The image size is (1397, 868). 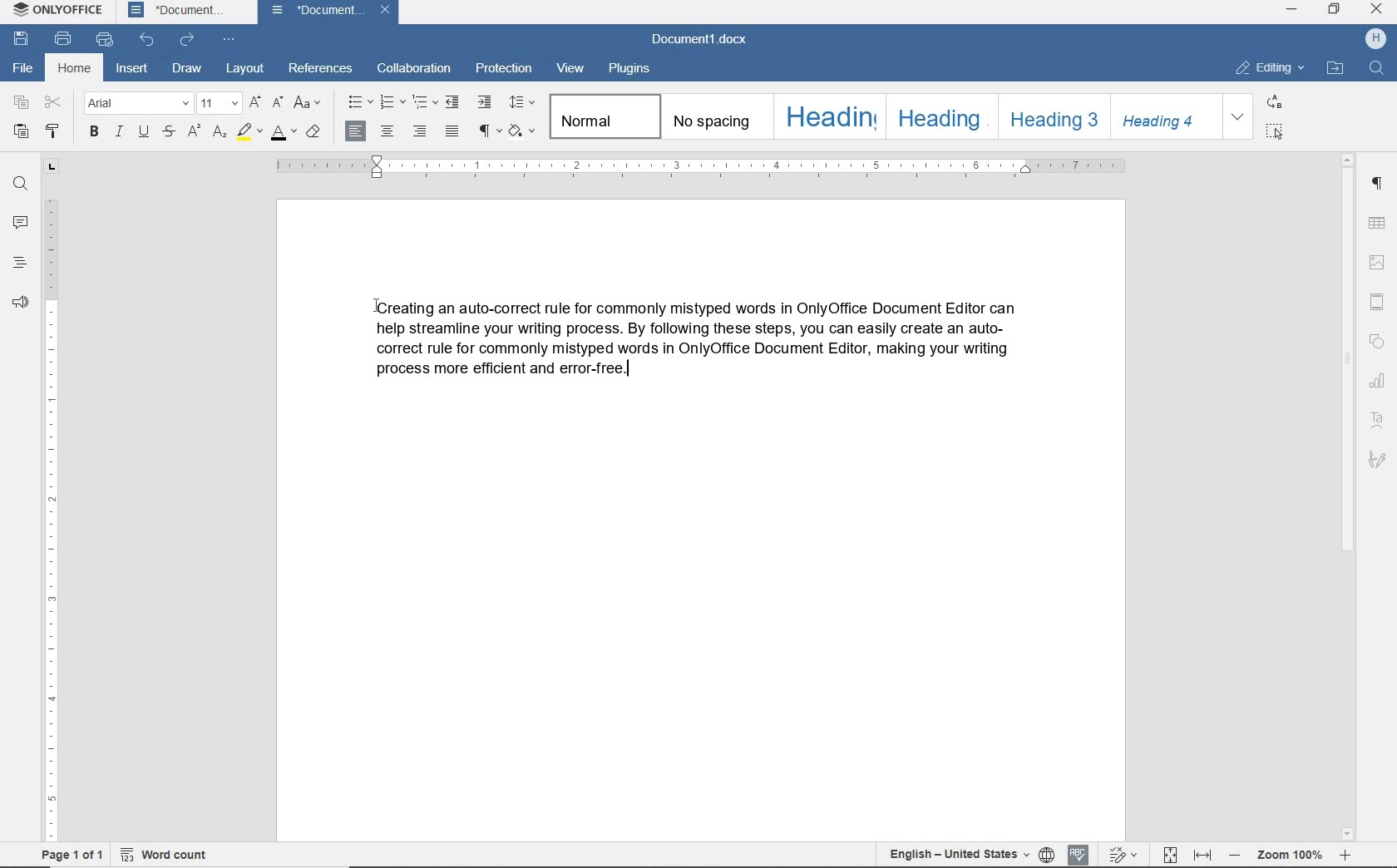 I want to click on font, so click(x=137, y=101).